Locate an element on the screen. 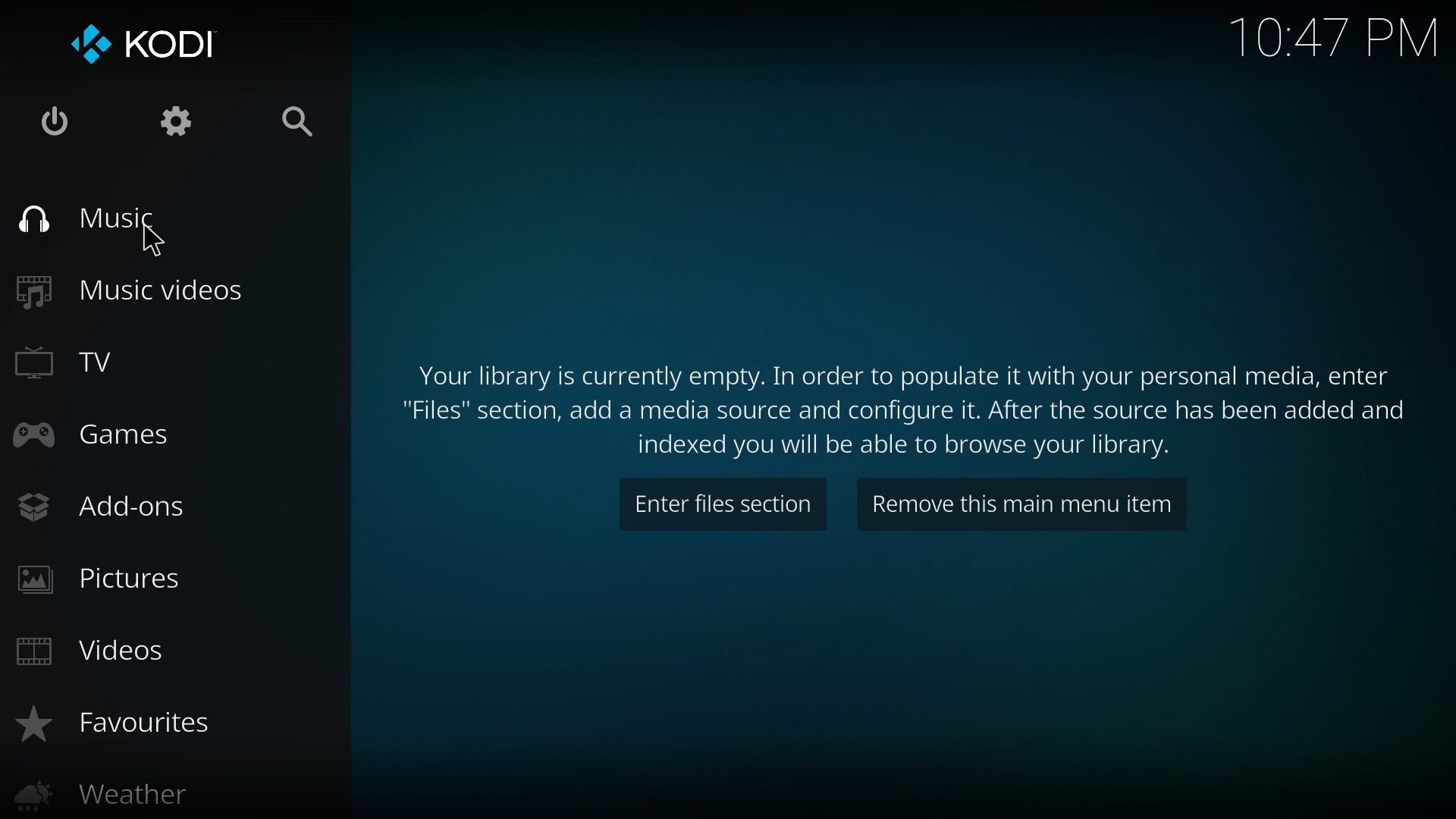 The image size is (1456, 819). settings is located at coordinates (180, 122).